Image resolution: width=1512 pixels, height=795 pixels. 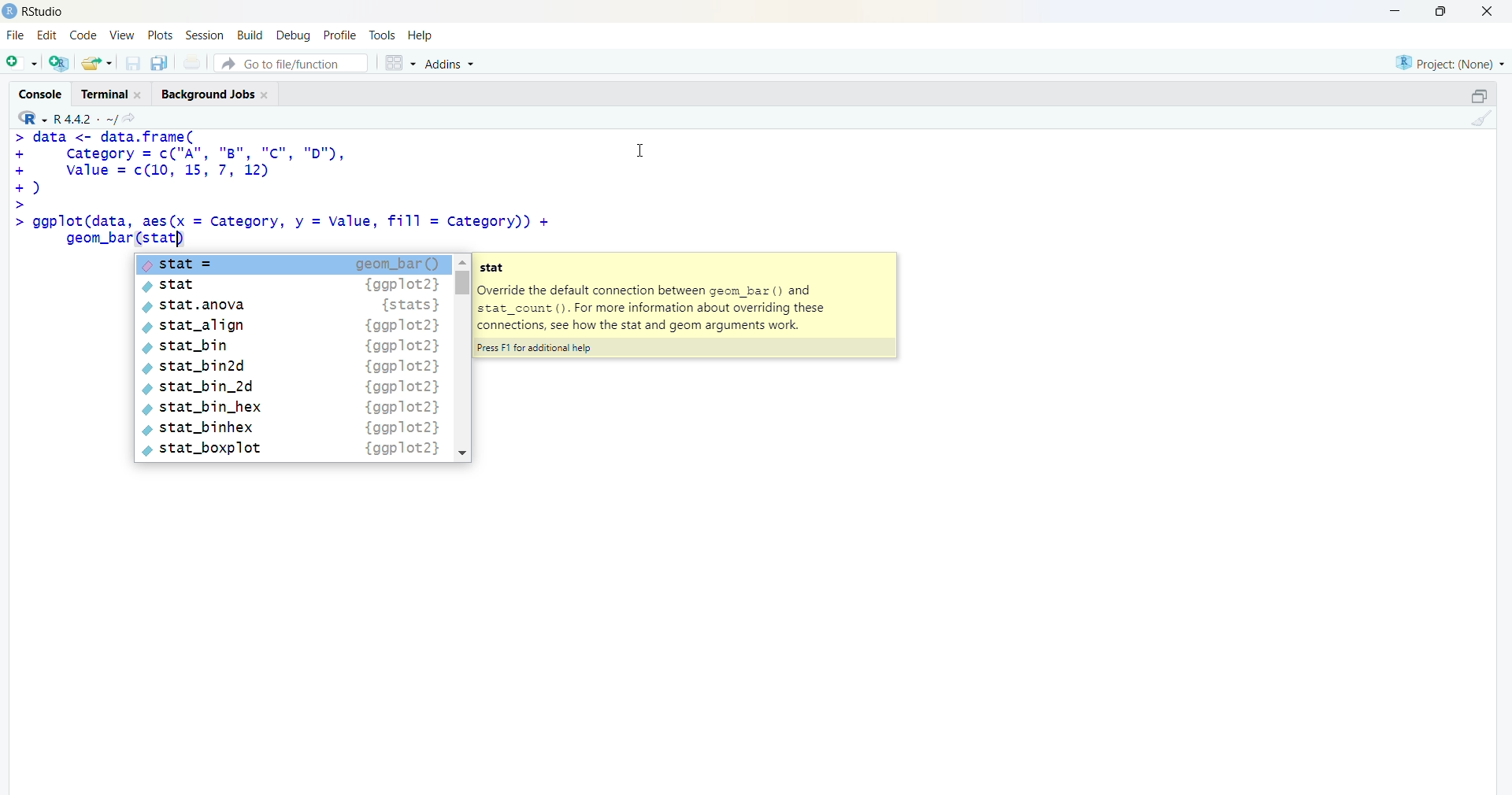 I want to click on logo, so click(x=10, y=11).